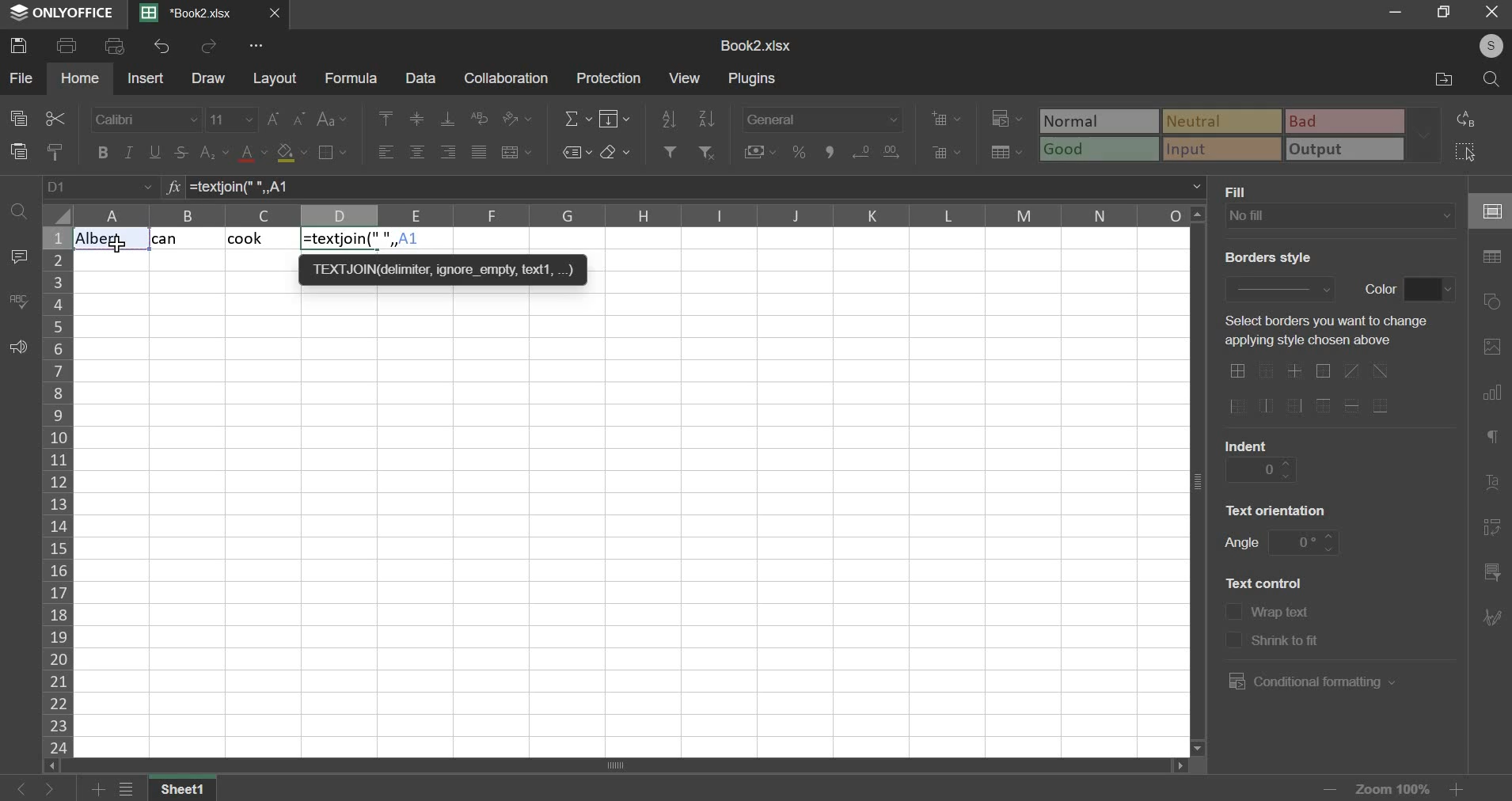  Describe the element at coordinates (54, 119) in the screenshot. I see `cut` at that location.